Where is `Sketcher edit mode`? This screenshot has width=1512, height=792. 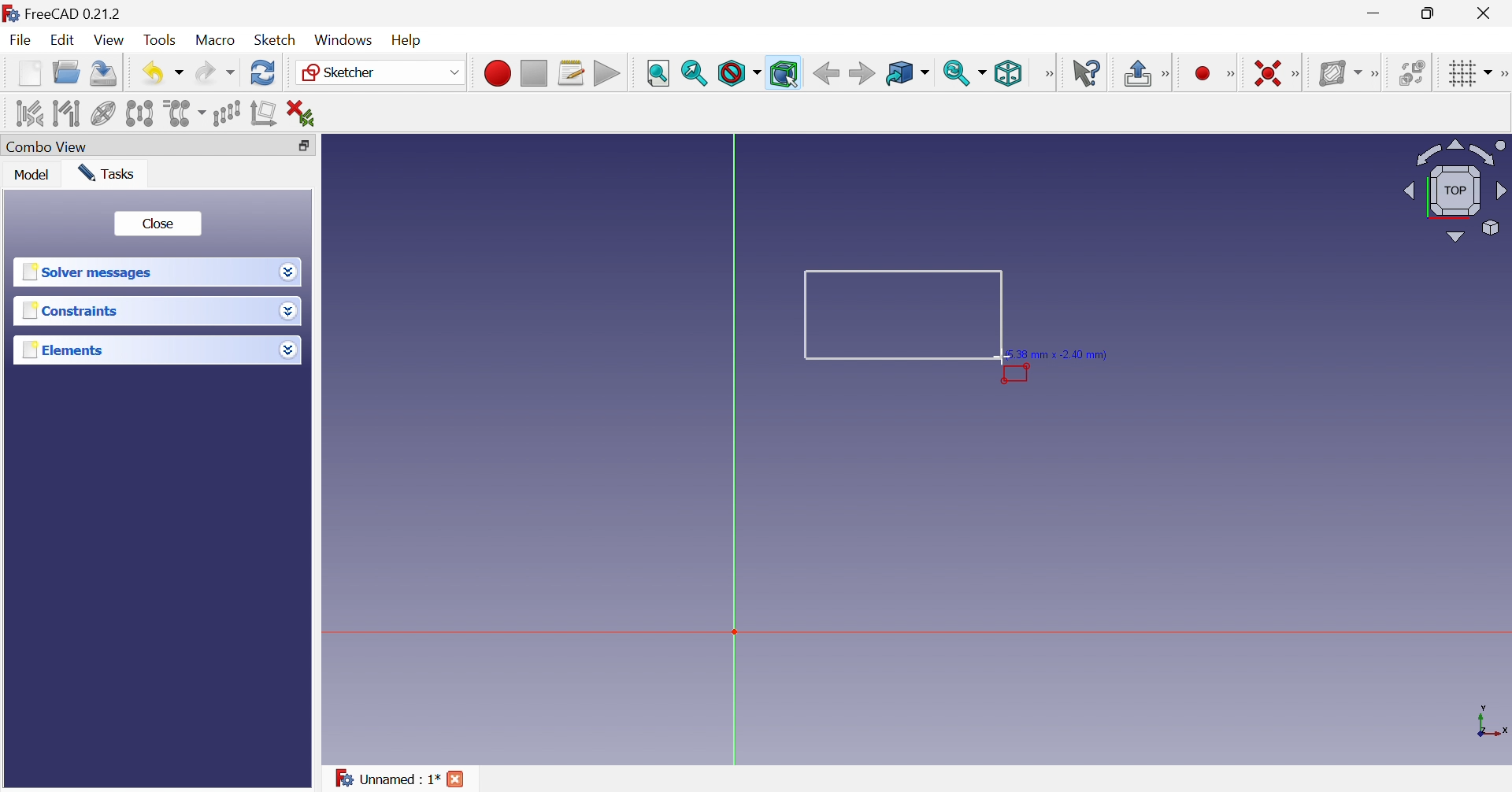
Sketcher edit mode is located at coordinates (1167, 73).